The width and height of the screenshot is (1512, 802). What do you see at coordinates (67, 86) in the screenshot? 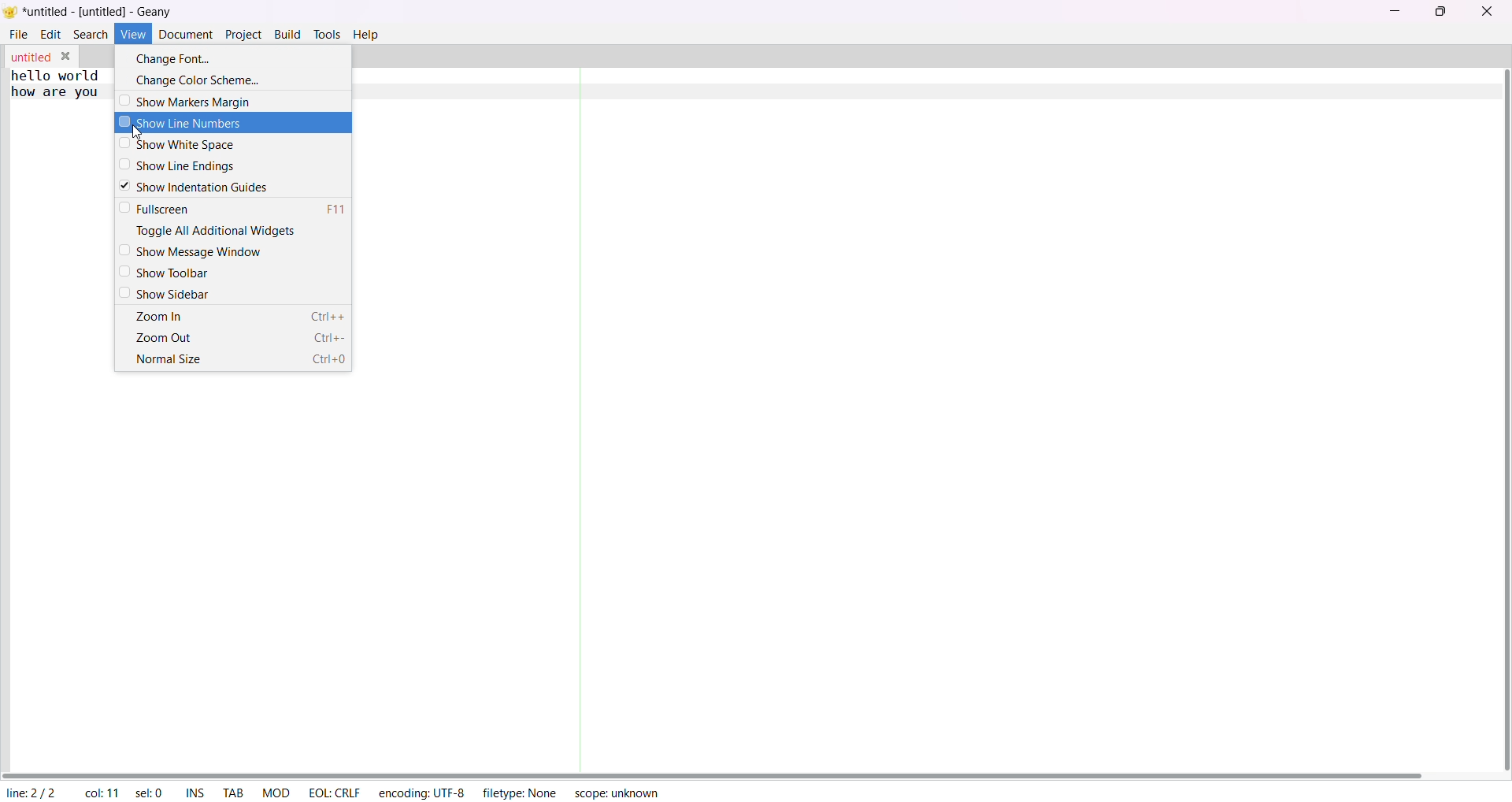
I see `text` at bounding box center [67, 86].